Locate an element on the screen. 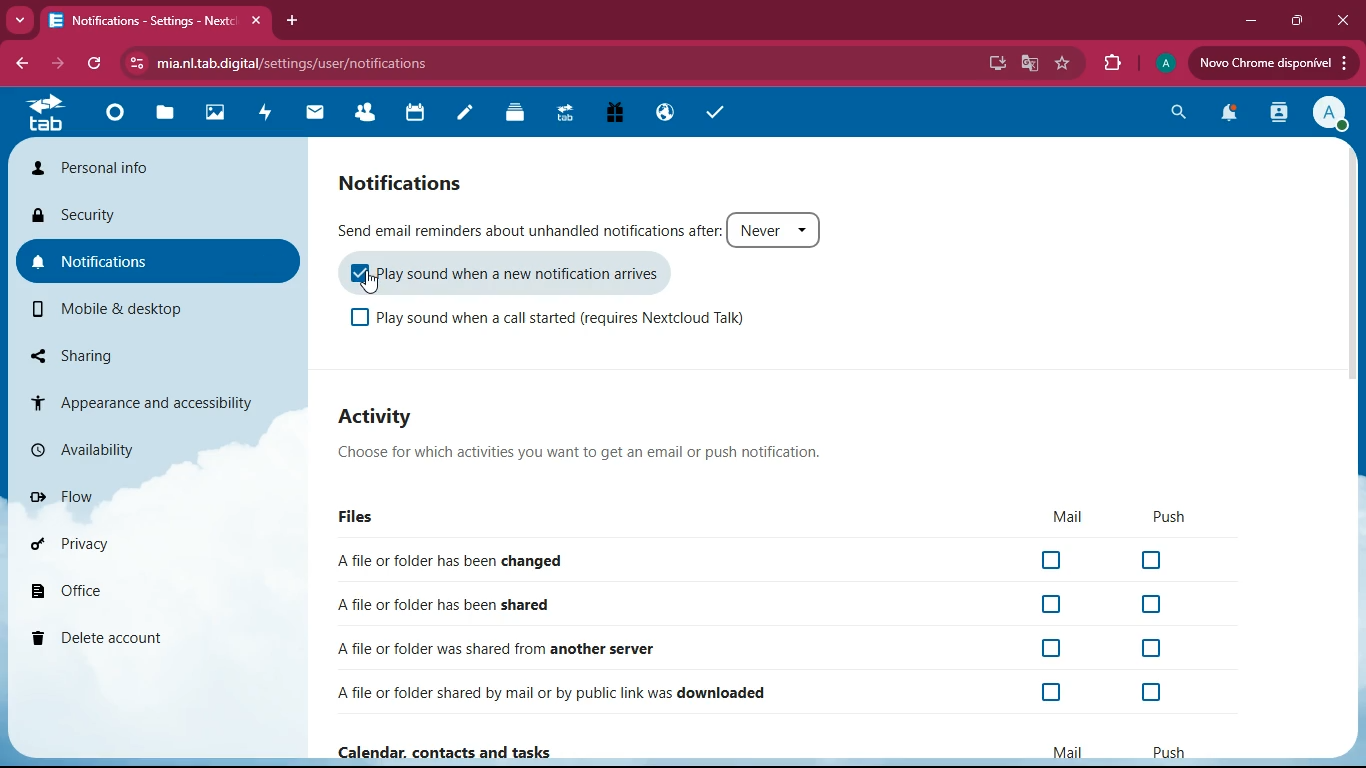  images is located at coordinates (221, 114).